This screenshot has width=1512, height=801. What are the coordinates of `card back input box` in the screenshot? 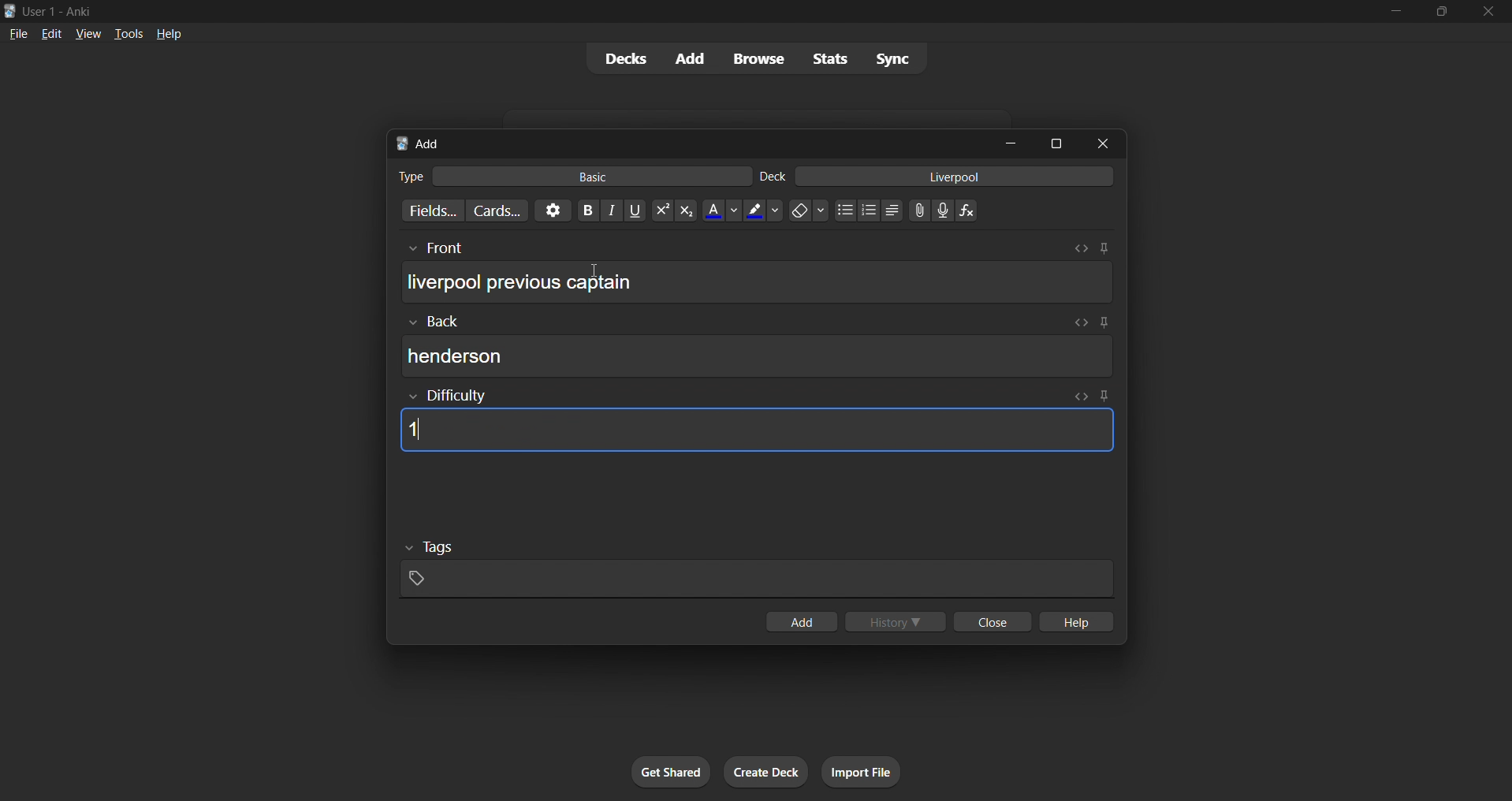 It's located at (762, 348).